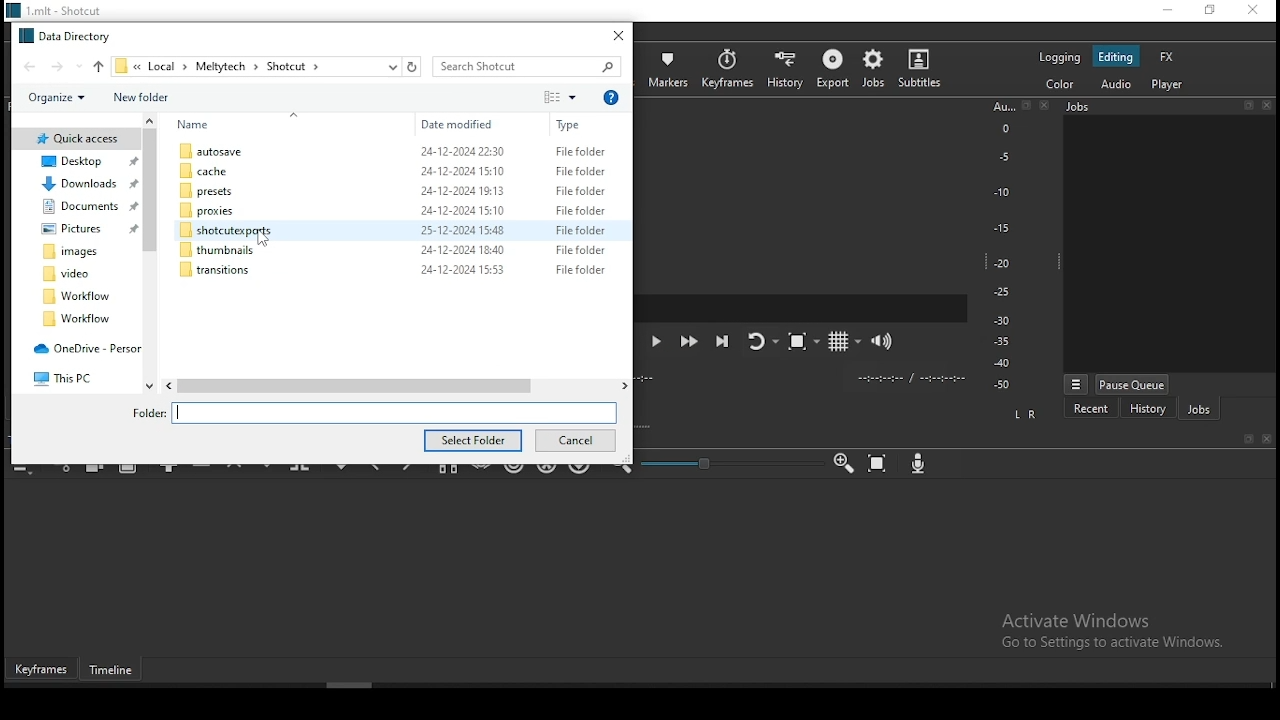 Image resolution: width=1280 pixels, height=720 pixels. Describe the element at coordinates (1057, 85) in the screenshot. I see `color` at that location.